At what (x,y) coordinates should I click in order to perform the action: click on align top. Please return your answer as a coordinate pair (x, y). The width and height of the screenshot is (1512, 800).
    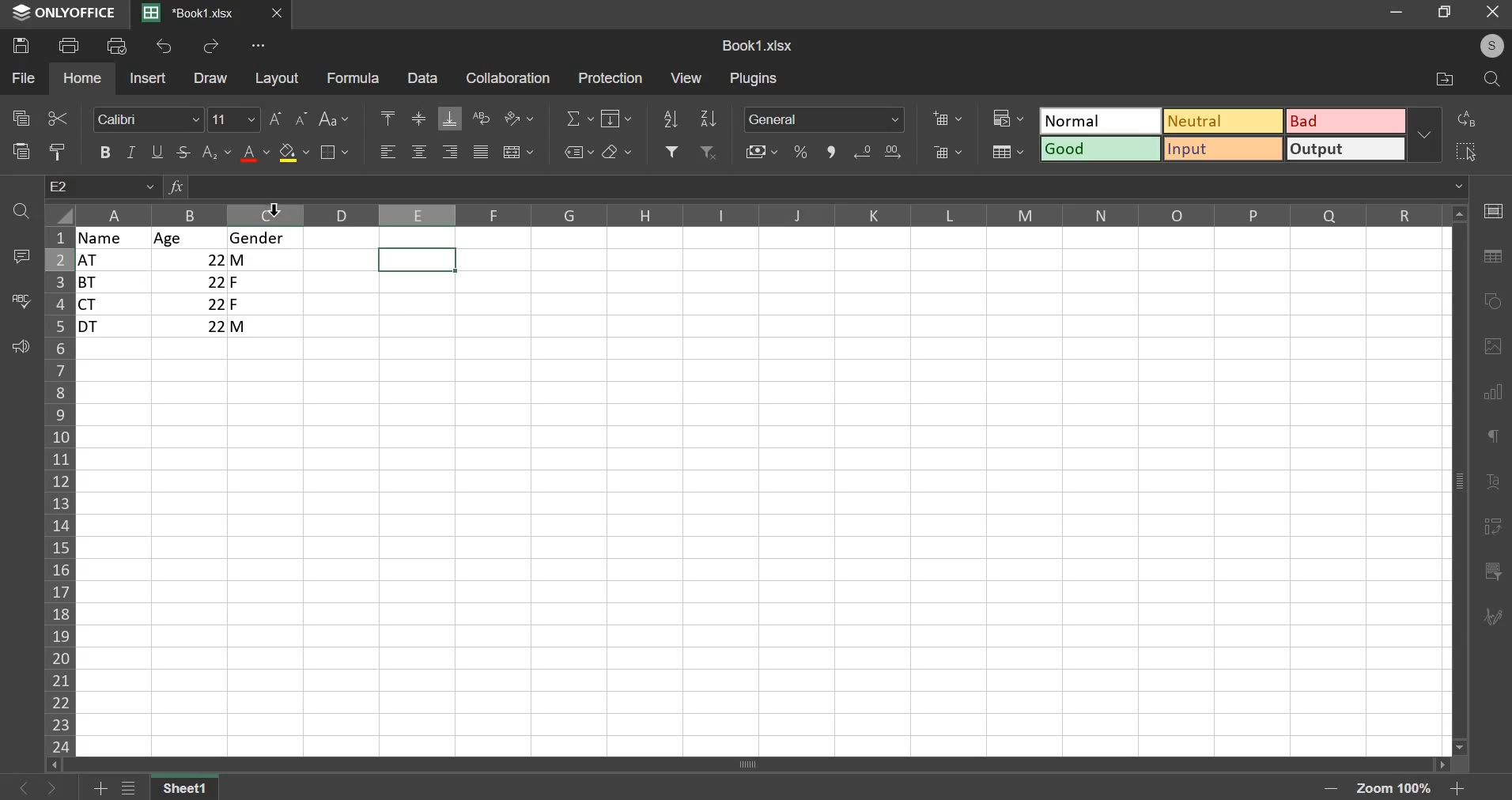
    Looking at the image, I should click on (387, 115).